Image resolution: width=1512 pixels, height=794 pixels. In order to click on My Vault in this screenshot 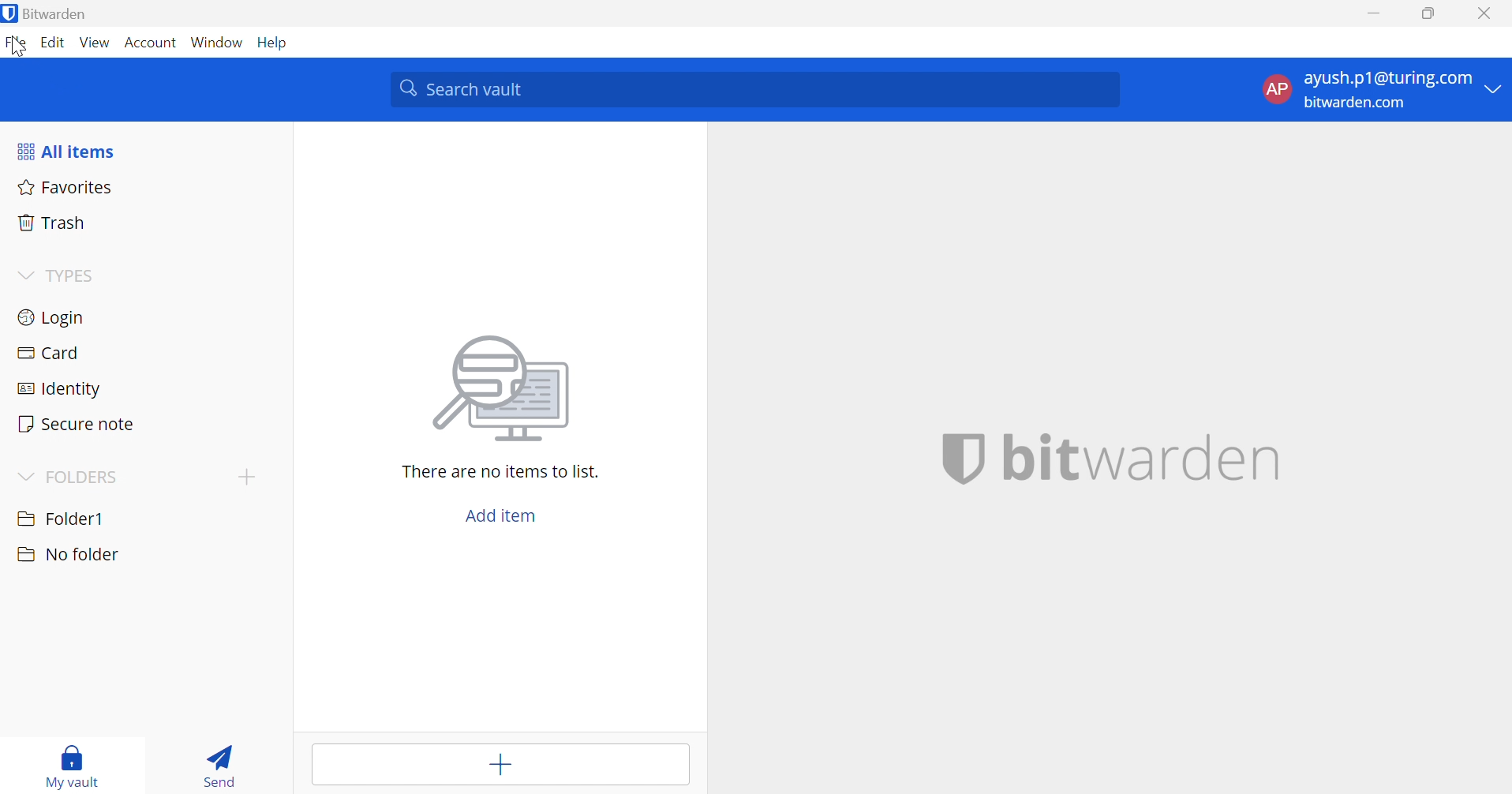, I will do `click(75, 763)`.